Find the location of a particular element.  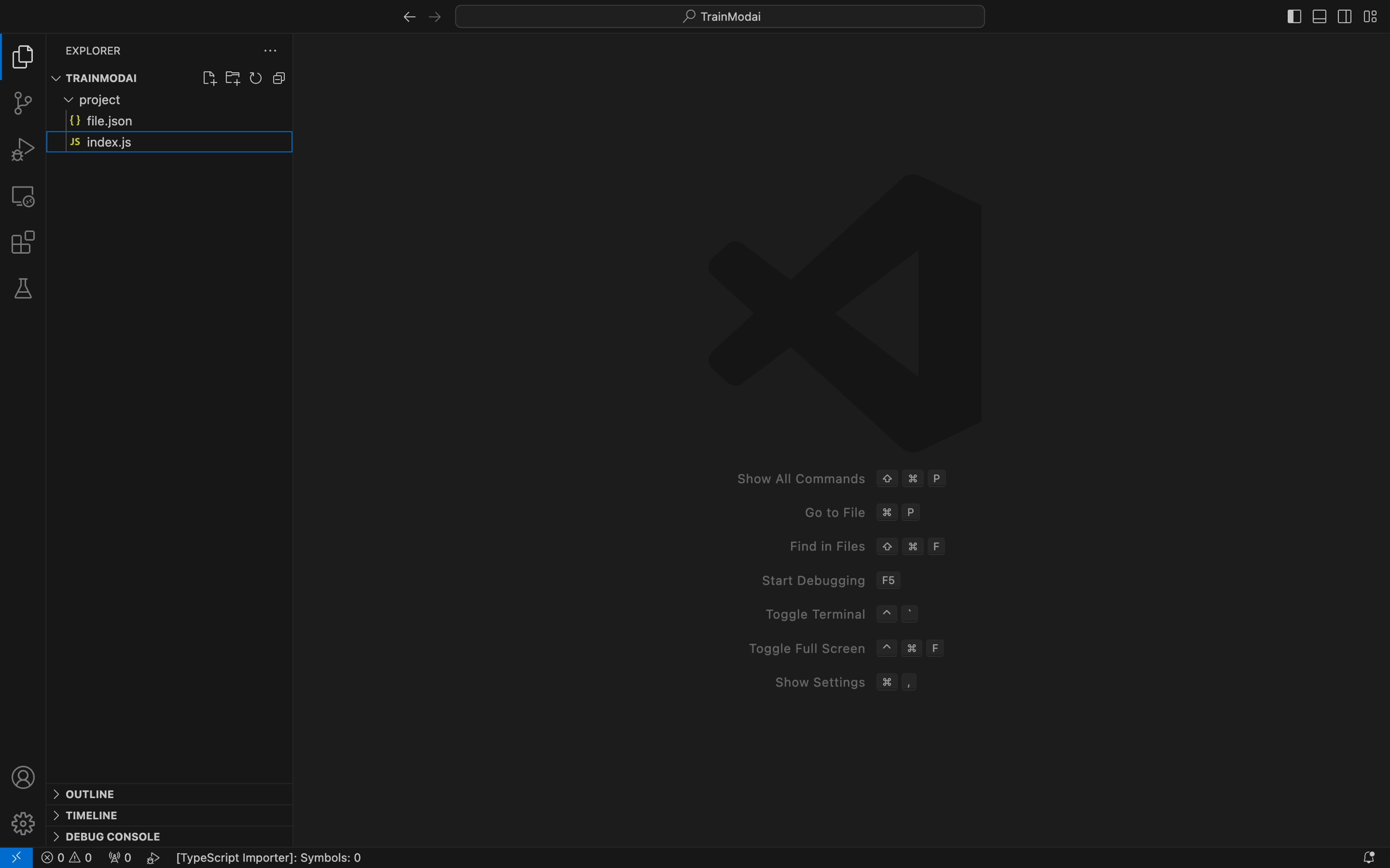

create file is located at coordinates (208, 79).